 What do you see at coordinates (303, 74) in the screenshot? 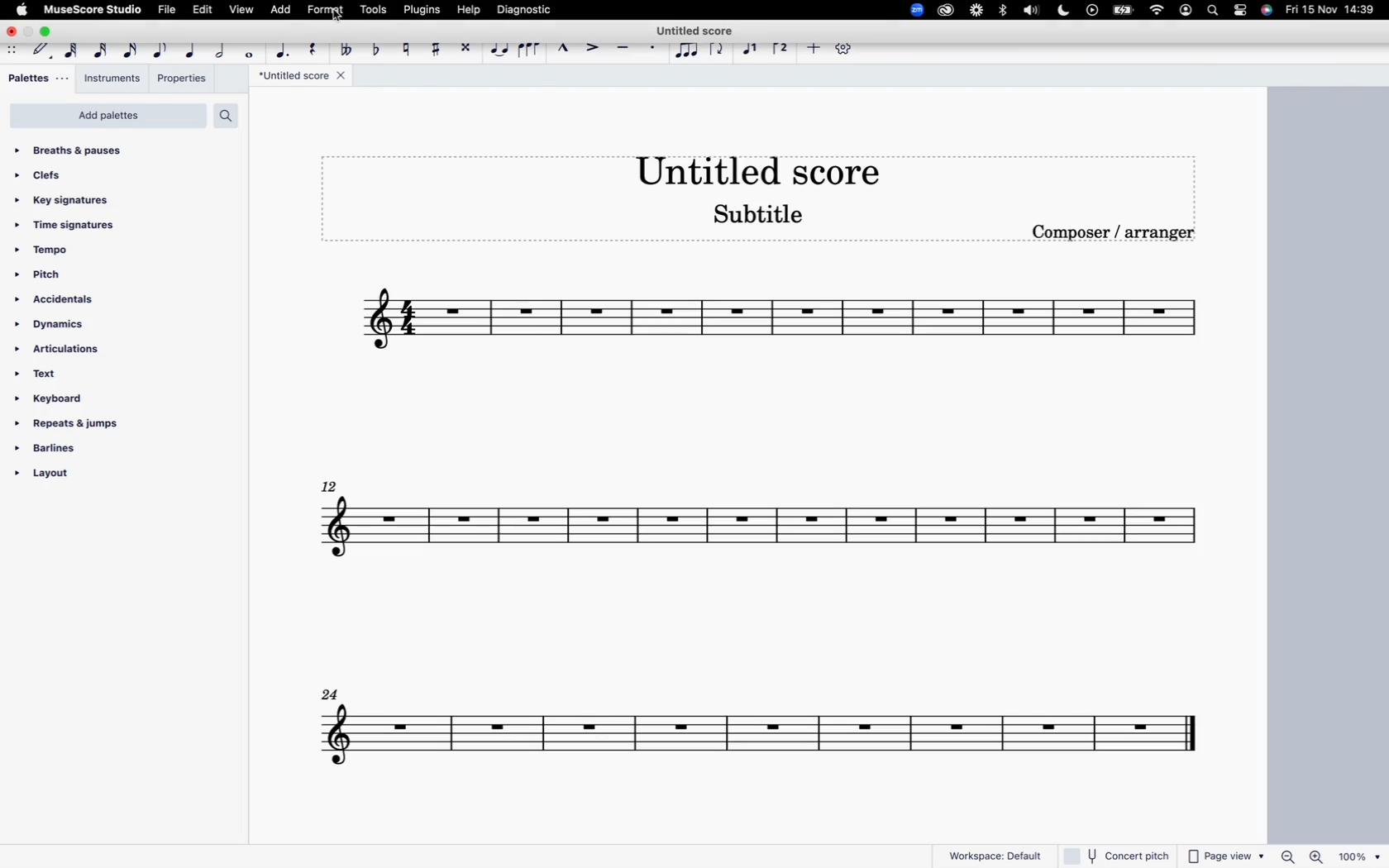
I see `score title` at bounding box center [303, 74].